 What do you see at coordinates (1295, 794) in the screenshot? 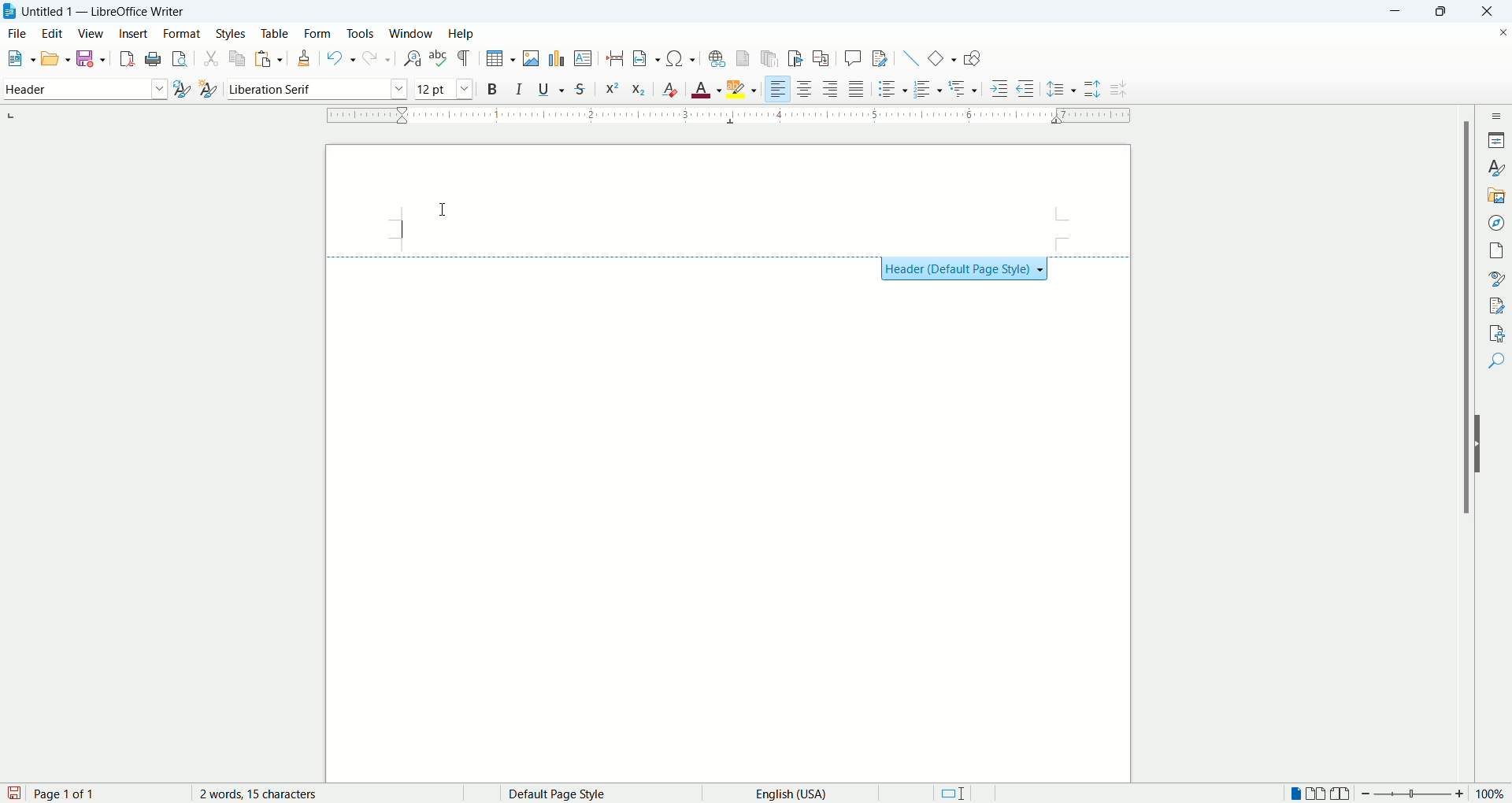
I see `single page view` at bounding box center [1295, 794].